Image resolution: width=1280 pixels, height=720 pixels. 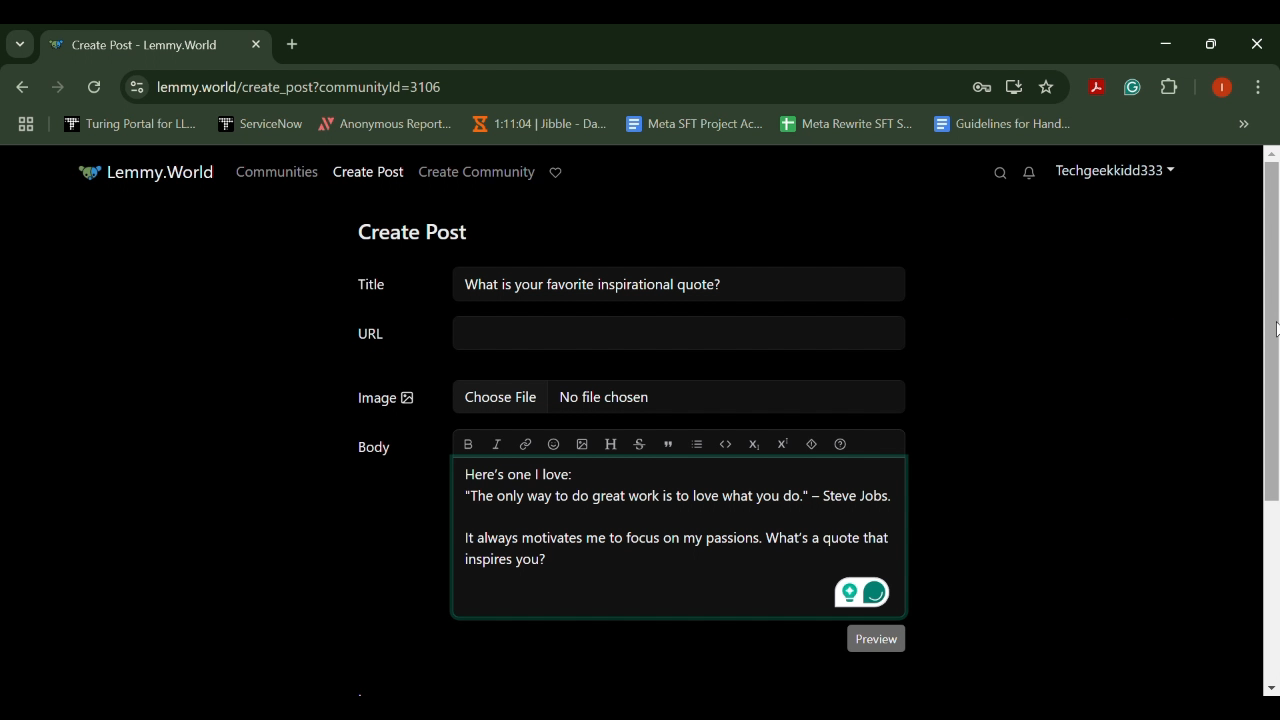 I want to click on Hidden bookmarks, so click(x=1246, y=125).